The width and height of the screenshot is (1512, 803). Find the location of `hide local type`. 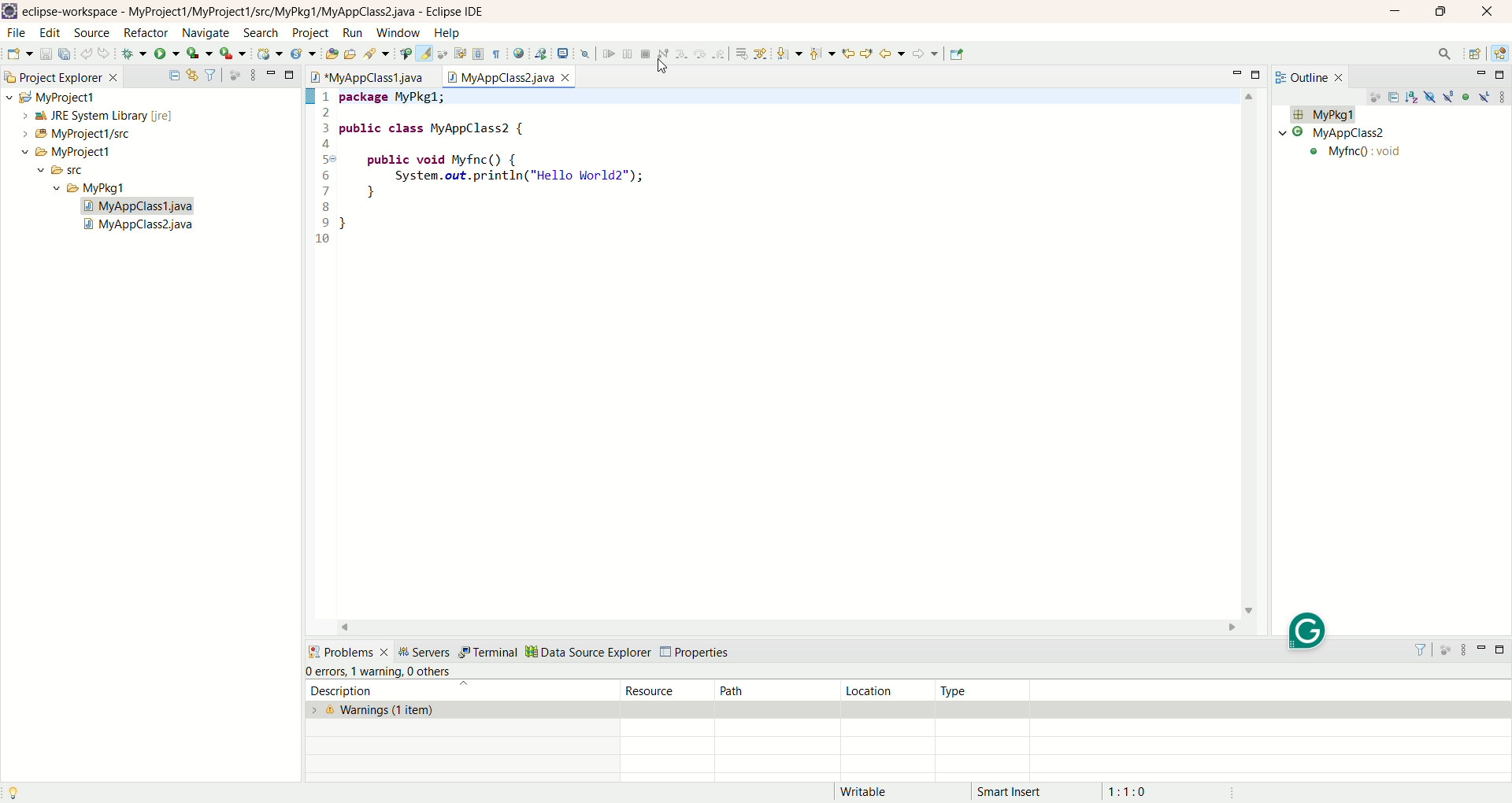

hide local type is located at coordinates (1486, 96).